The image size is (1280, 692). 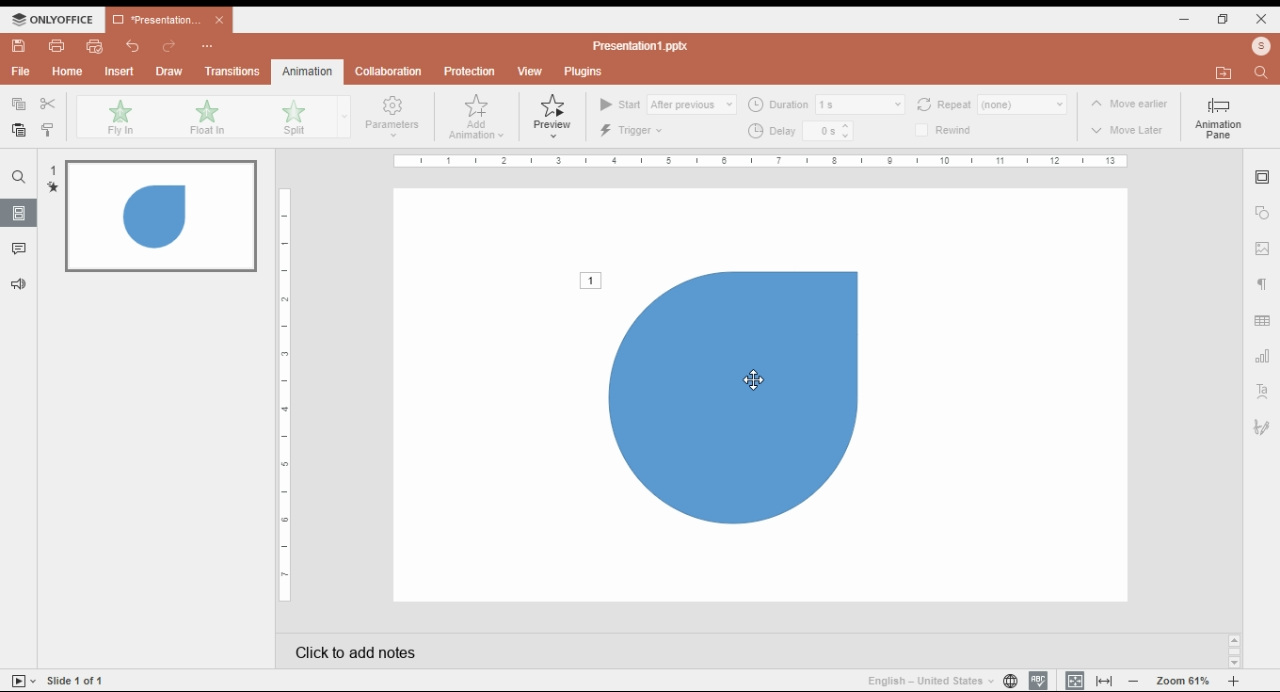 What do you see at coordinates (305, 71) in the screenshot?
I see `animation` at bounding box center [305, 71].